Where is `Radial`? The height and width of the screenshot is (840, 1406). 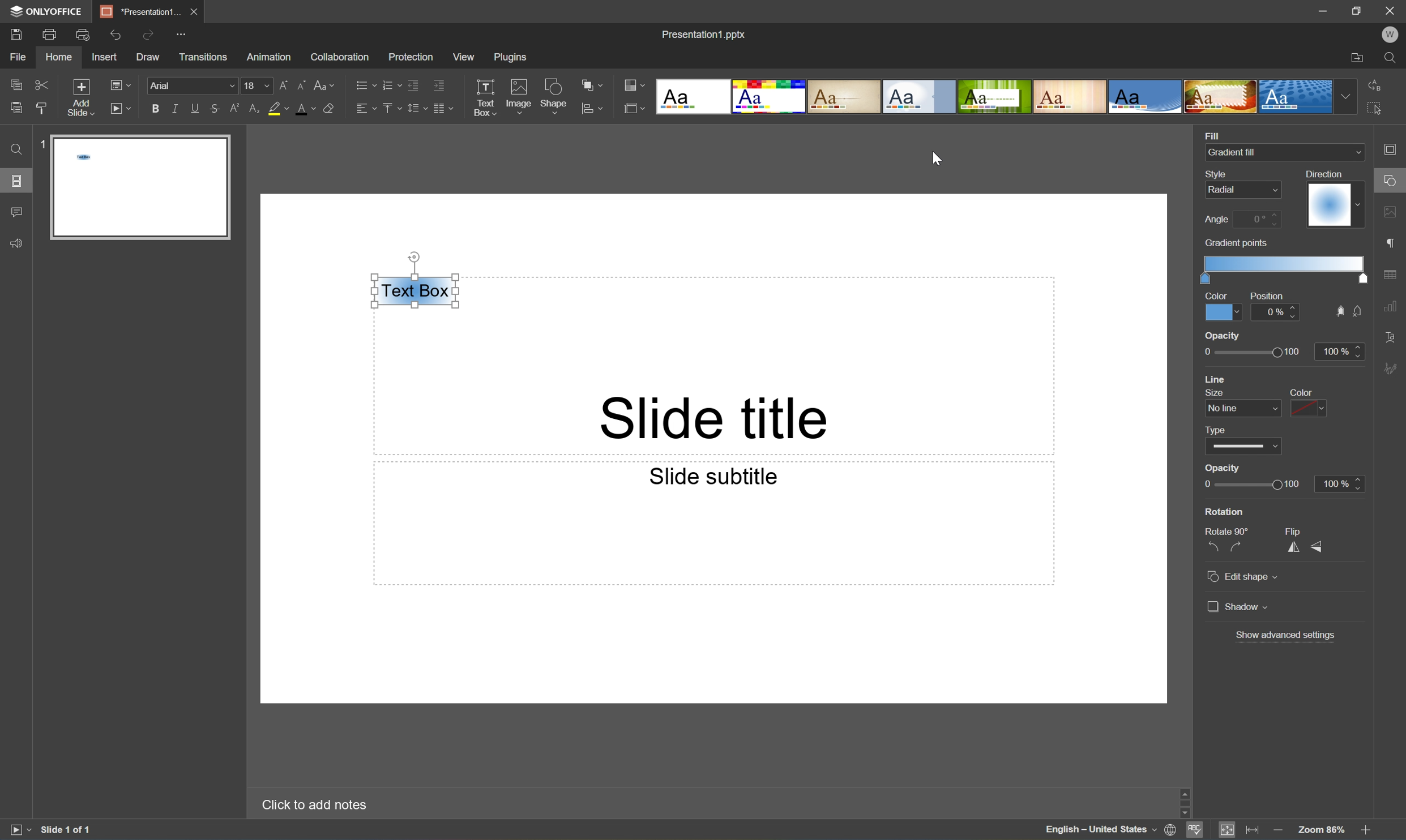
Radial is located at coordinates (1240, 191).